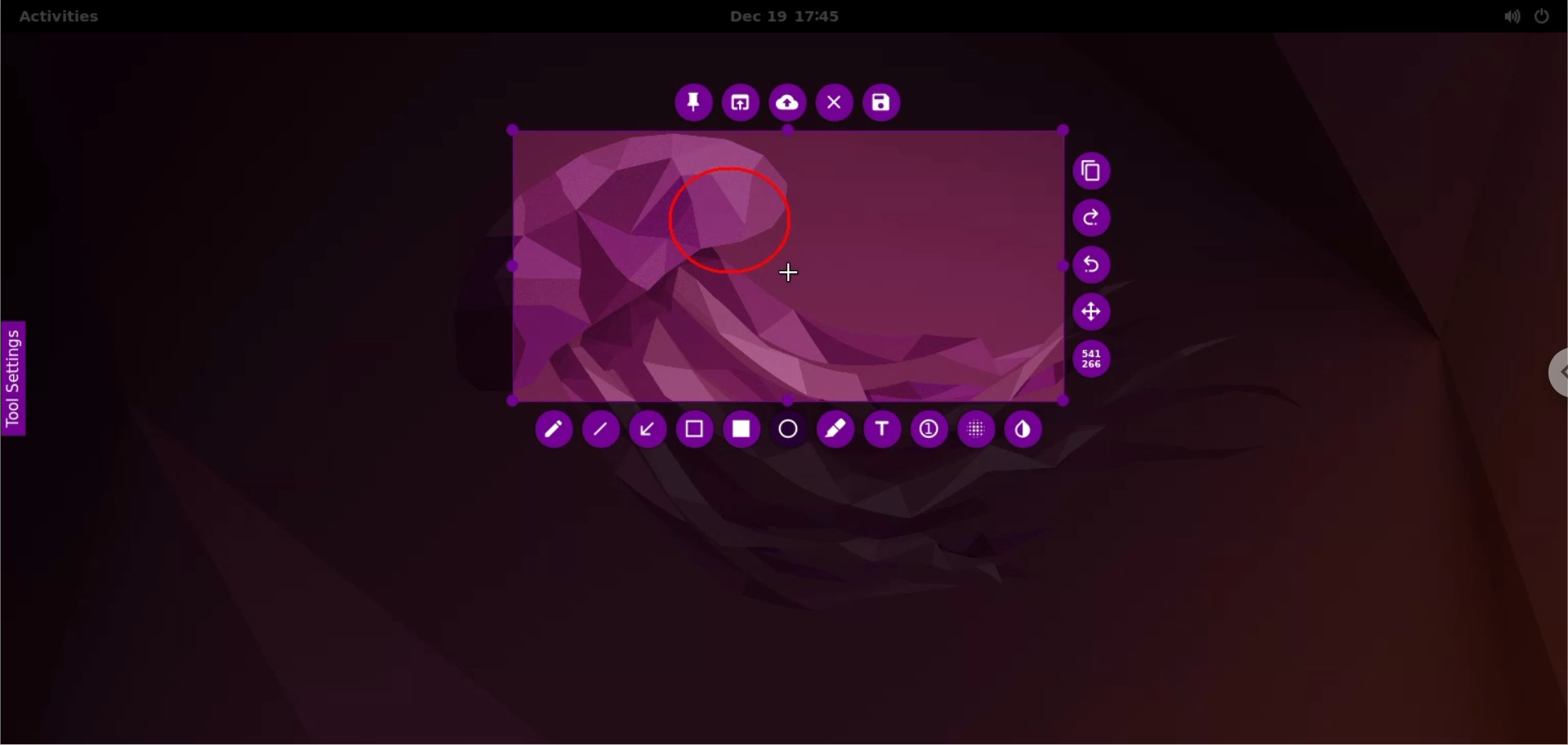 Image resolution: width=1568 pixels, height=745 pixels. What do you see at coordinates (555, 433) in the screenshot?
I see `pencil tool` at bounding box center [555, 433].